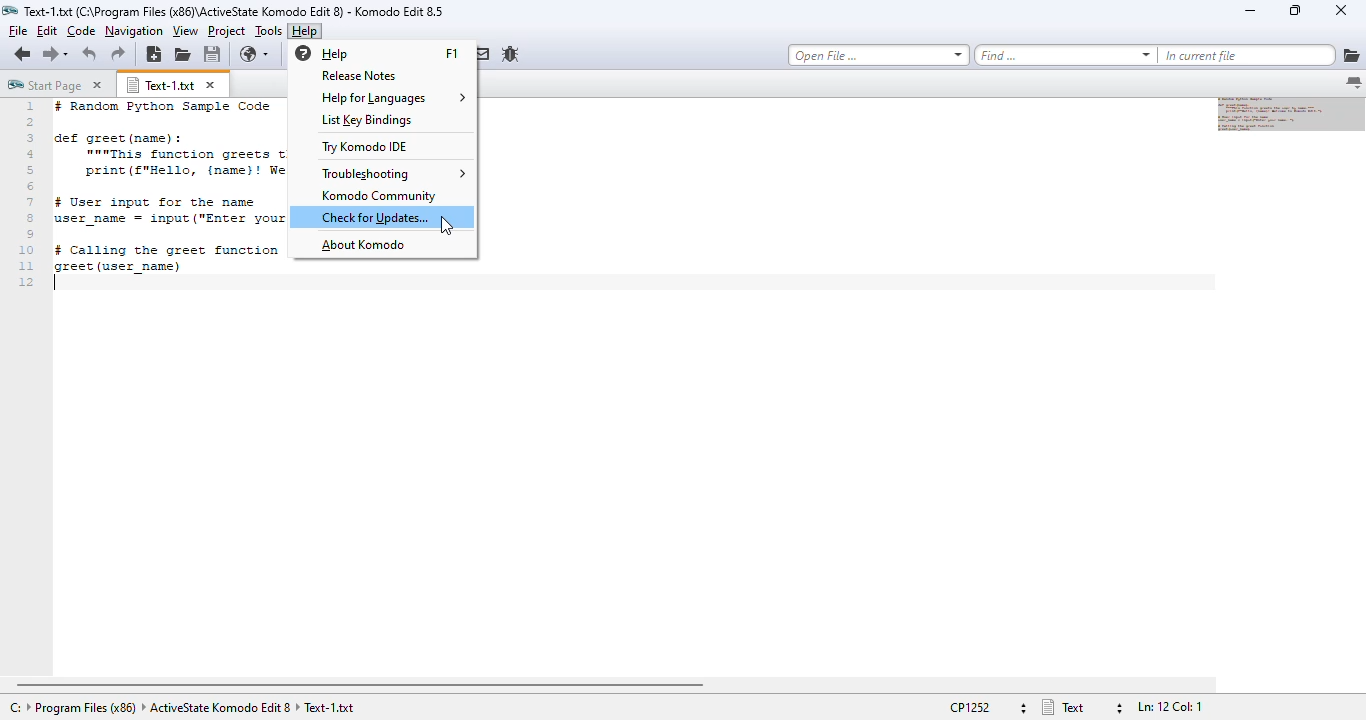 The height and width of the screenshot is (720, 1366). I want to click on line numbers, so click(28, 195).